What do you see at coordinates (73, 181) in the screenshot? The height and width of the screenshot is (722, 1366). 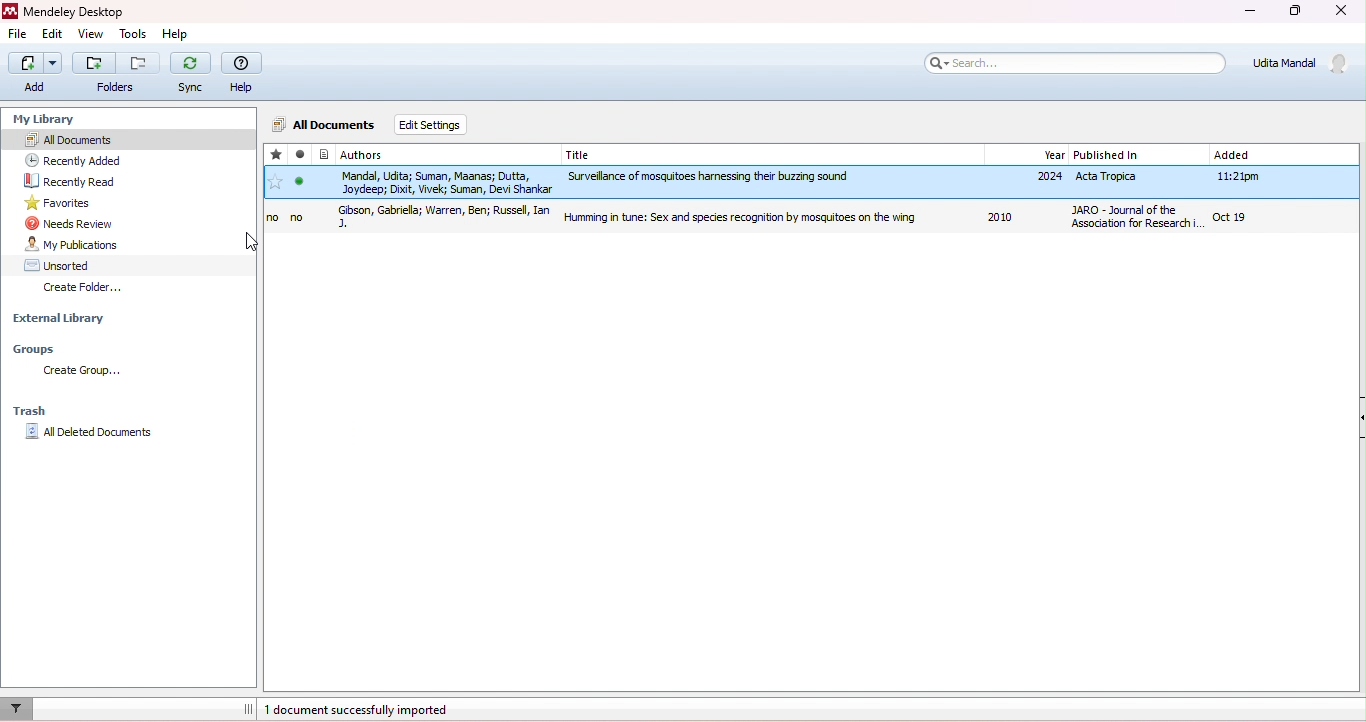 I see `recently read` at bounding box center [73, 181].